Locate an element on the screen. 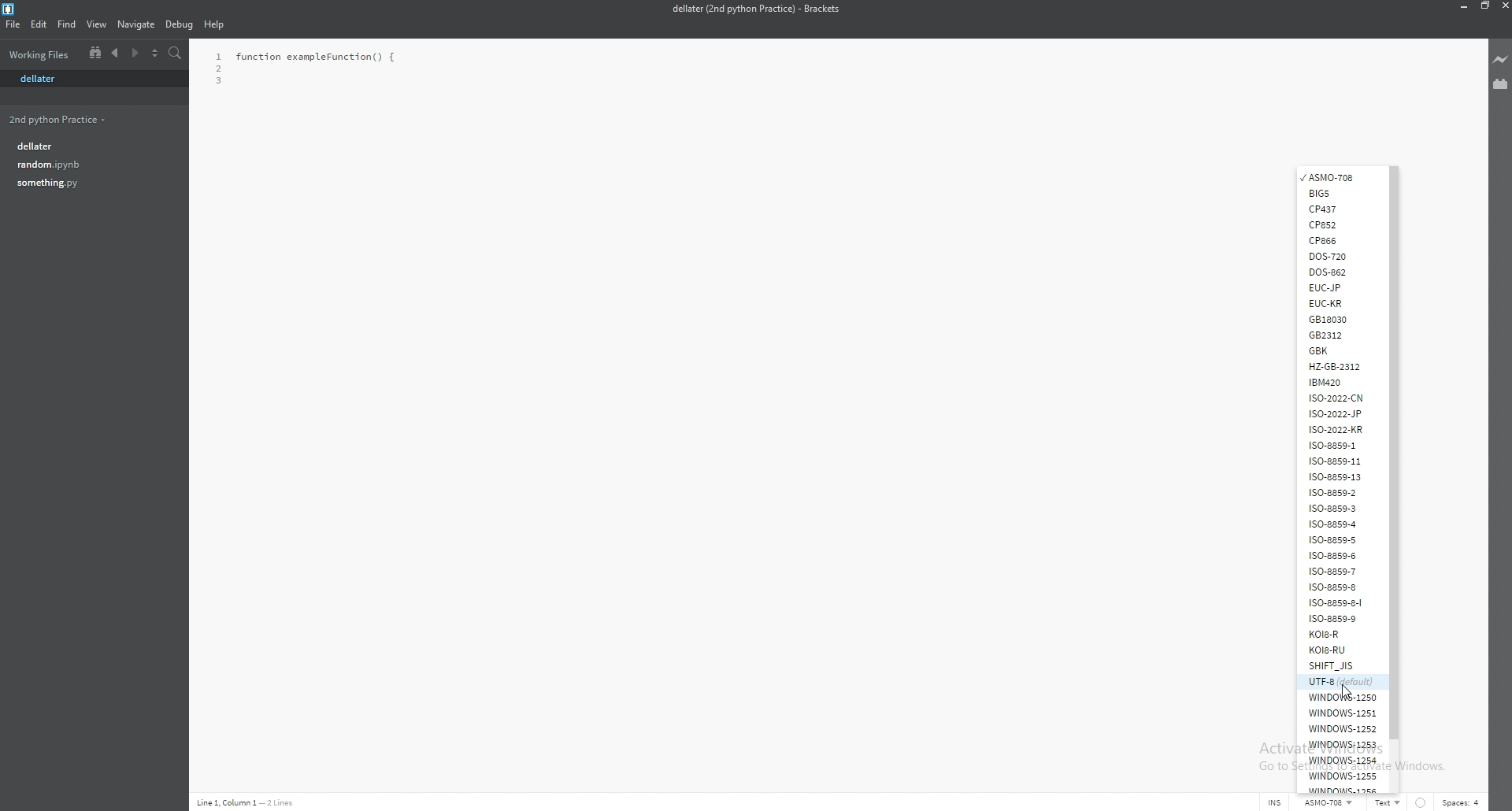 The width and height of the screenshot is (1512, 811). iso-8859-4 is located at coordinates (1340, 524).